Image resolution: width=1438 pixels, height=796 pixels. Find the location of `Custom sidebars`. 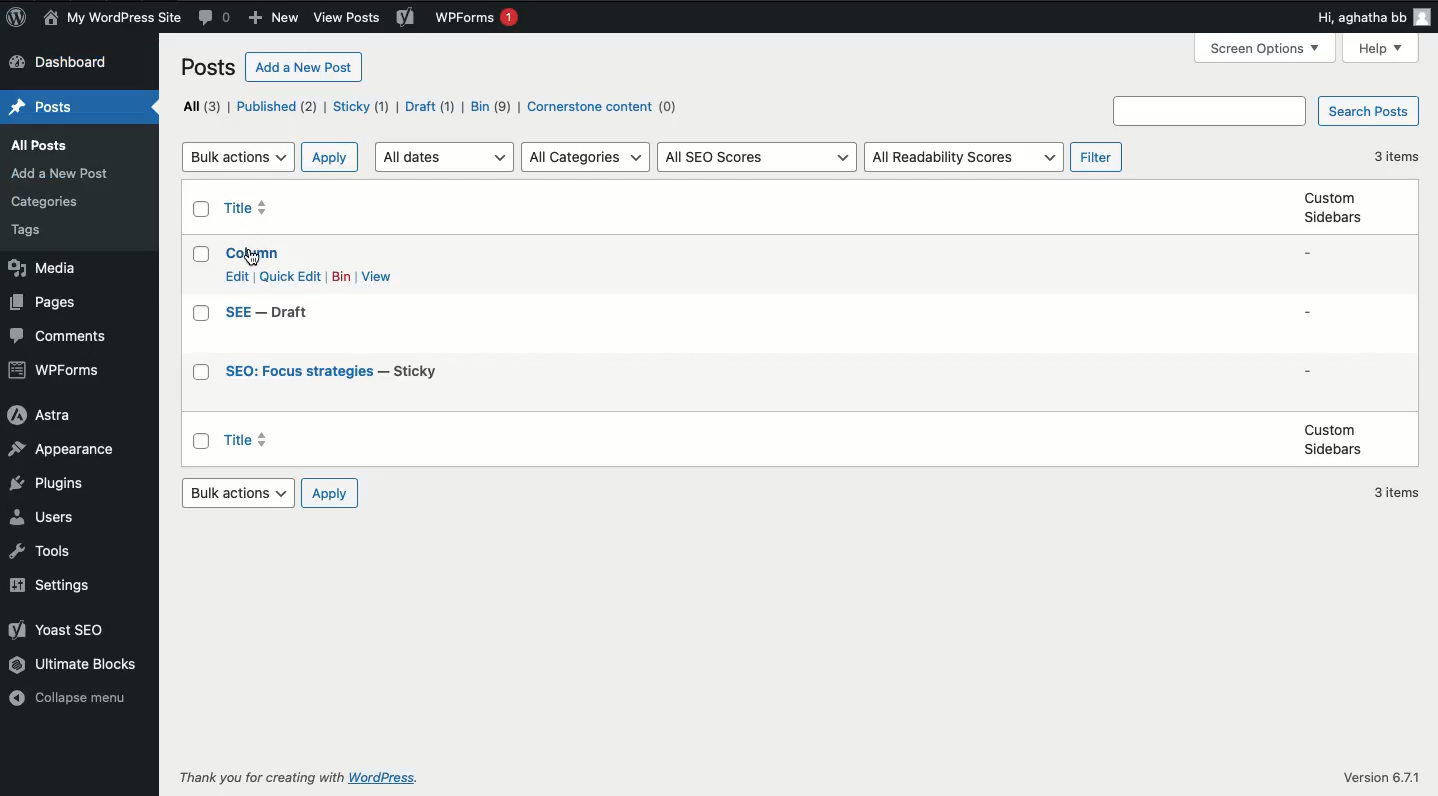

Custom sidebars is located at coordinates (1335, 207).